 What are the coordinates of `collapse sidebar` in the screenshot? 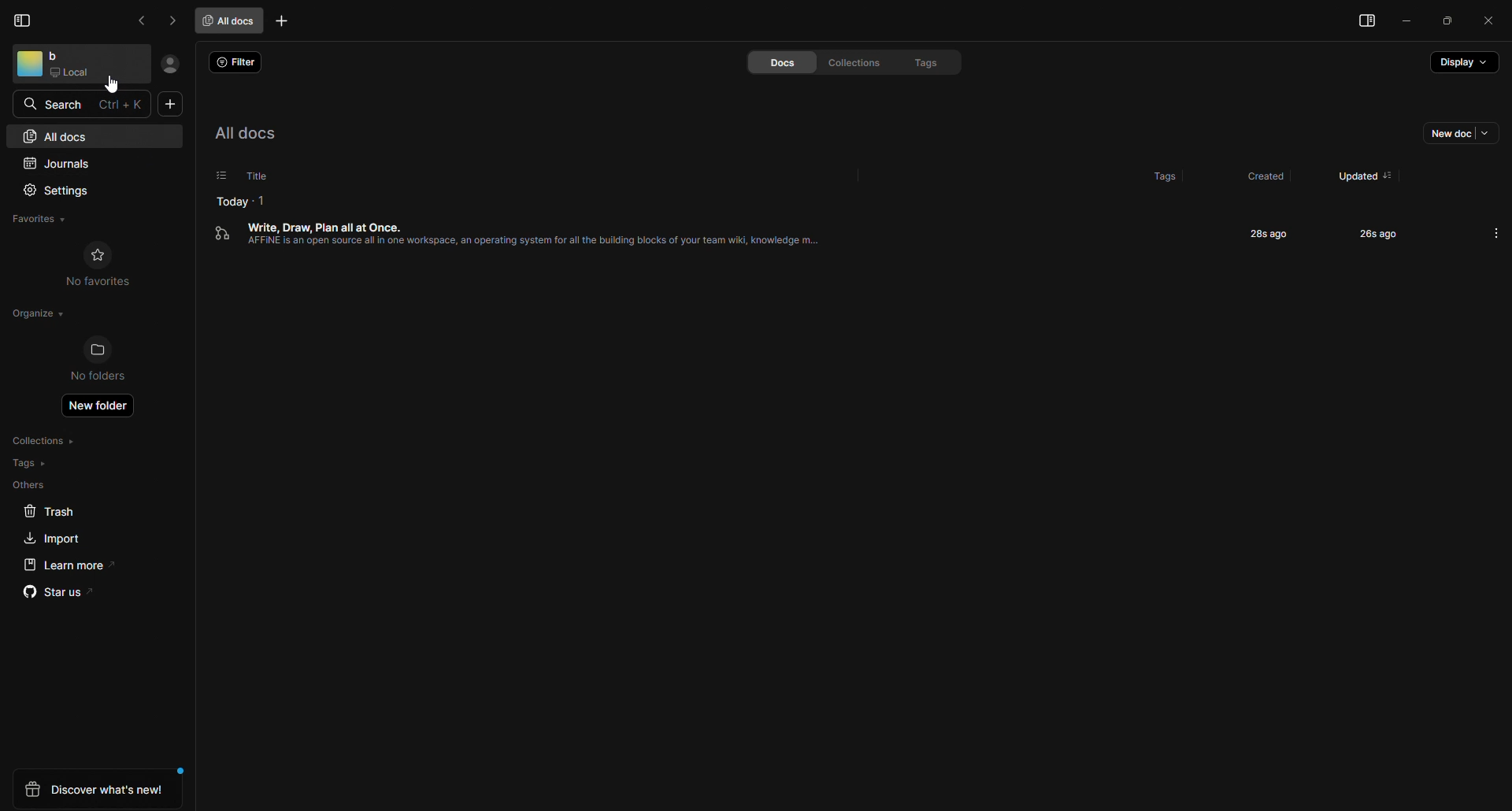 It's located at (24, 20).